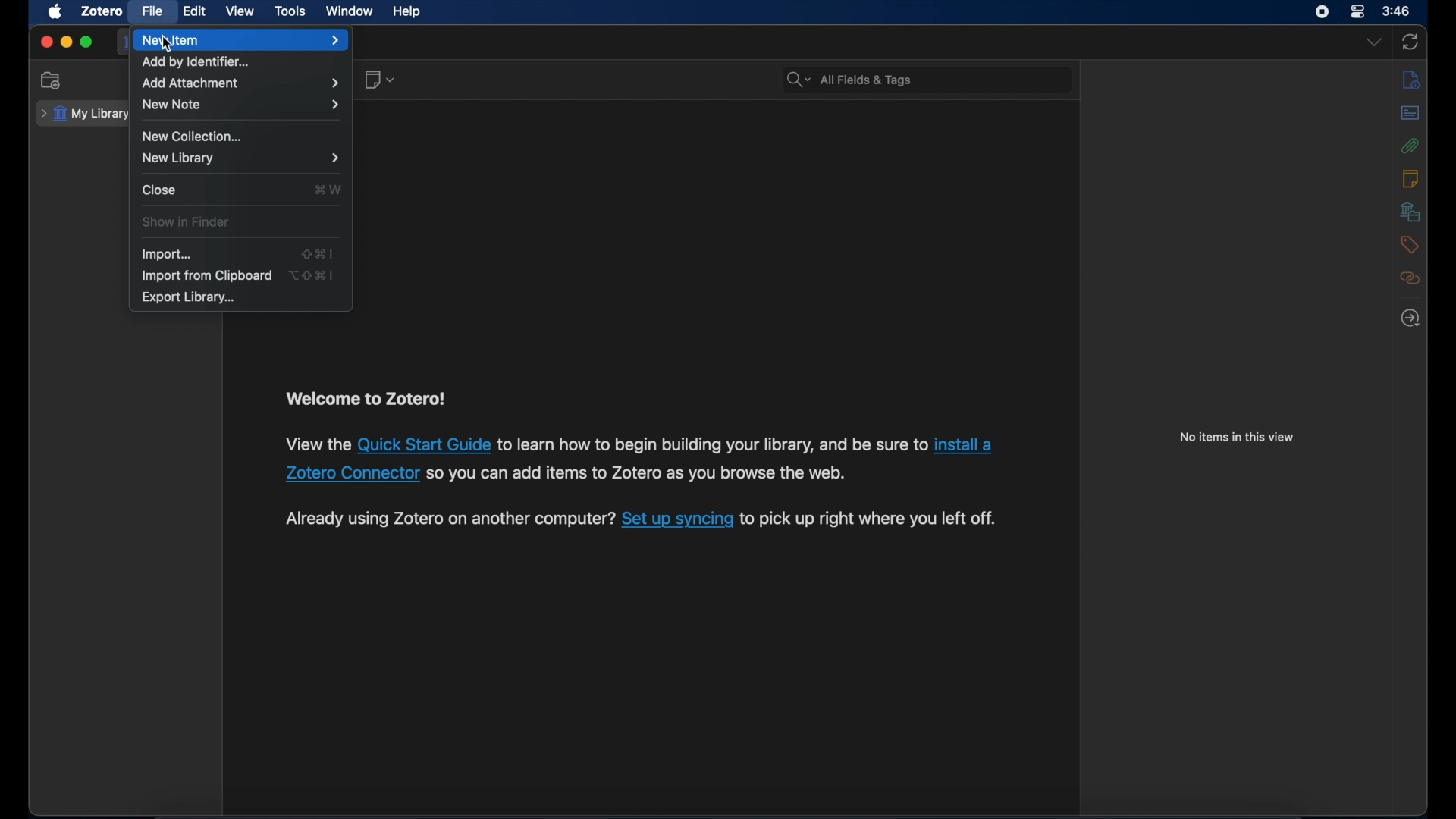 This screenshot has width=1456, height=819. I want to click on 3.46, so click(1397, 11).